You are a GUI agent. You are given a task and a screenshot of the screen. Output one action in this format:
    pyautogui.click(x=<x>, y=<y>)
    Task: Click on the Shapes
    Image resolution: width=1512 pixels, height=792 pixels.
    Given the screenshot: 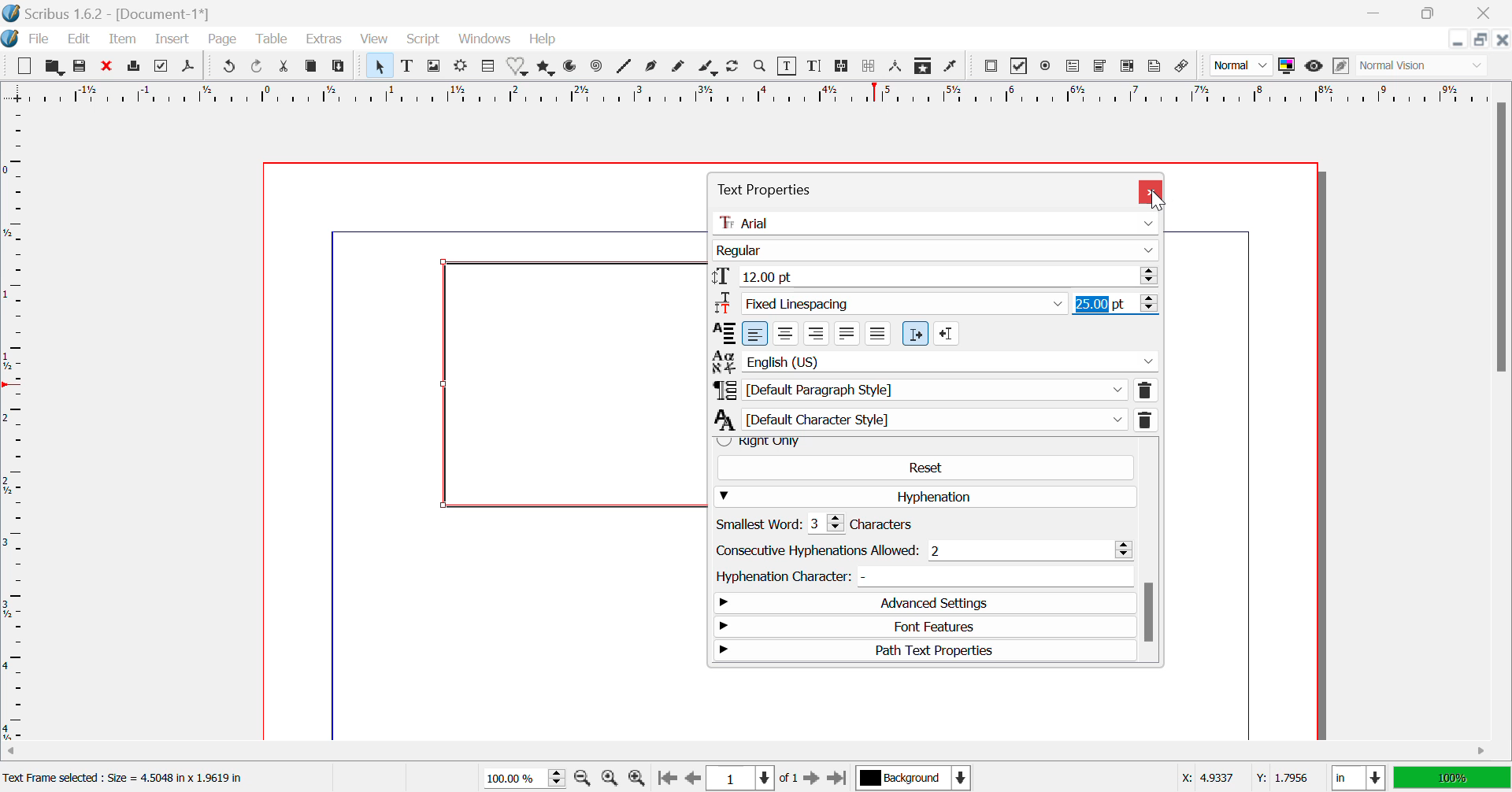 What is the action you would take?
    pyautogui.click(x=520, y=68)
    